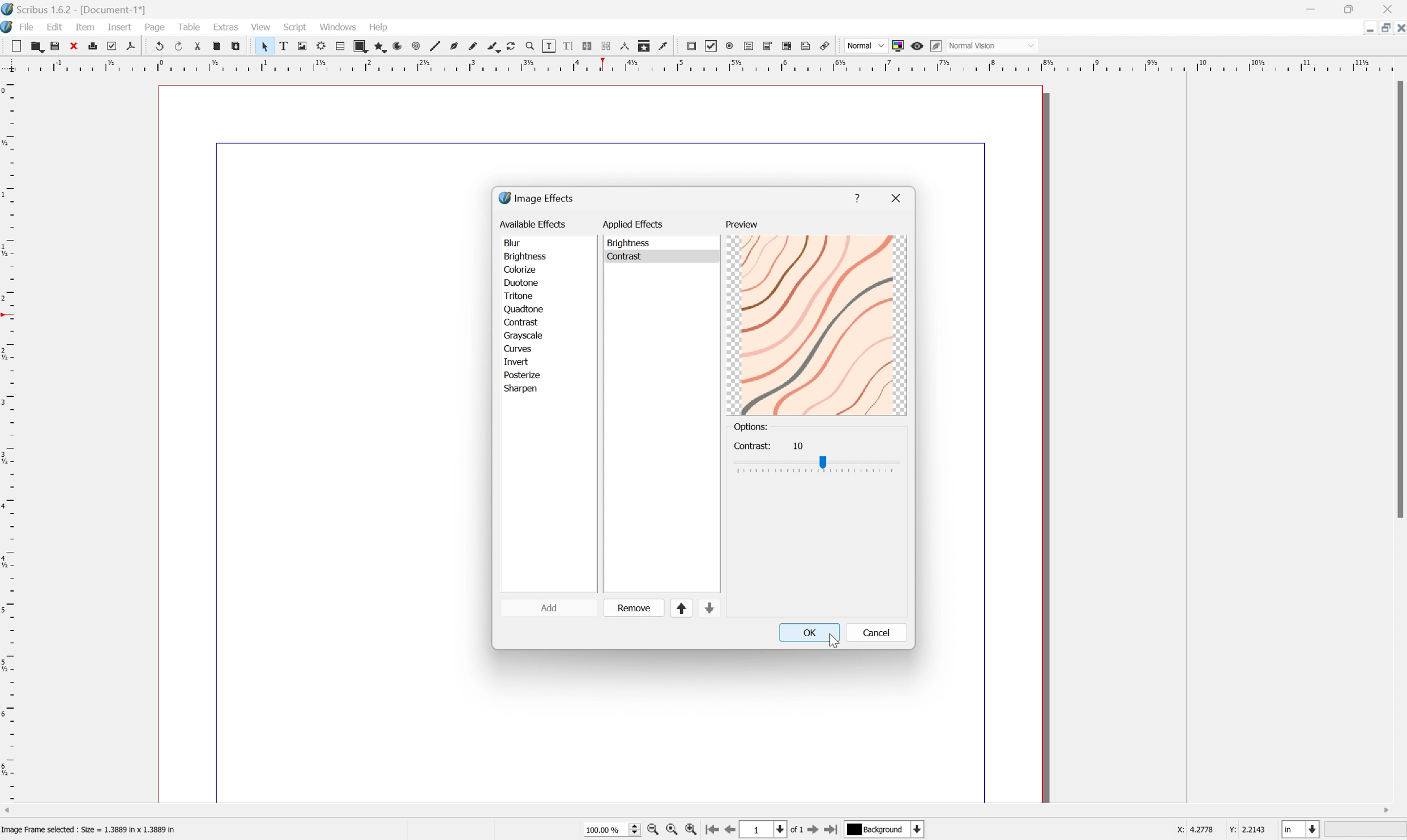  Describe the element at coordinates (1221, 832) in the screenshot. I see `coordinates` at that location.